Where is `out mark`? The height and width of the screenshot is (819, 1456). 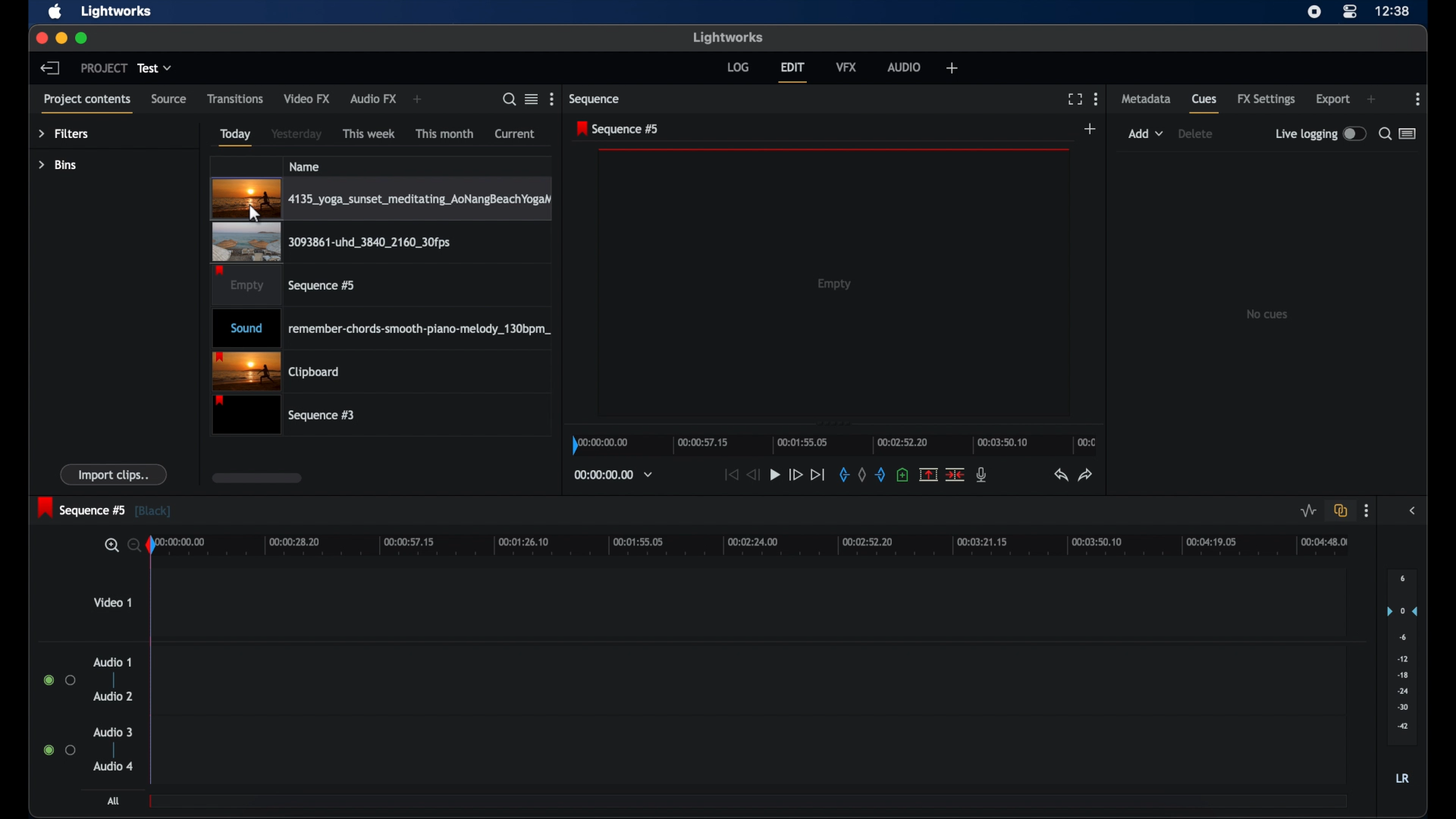 out mark is located at coordinates (879, 474).